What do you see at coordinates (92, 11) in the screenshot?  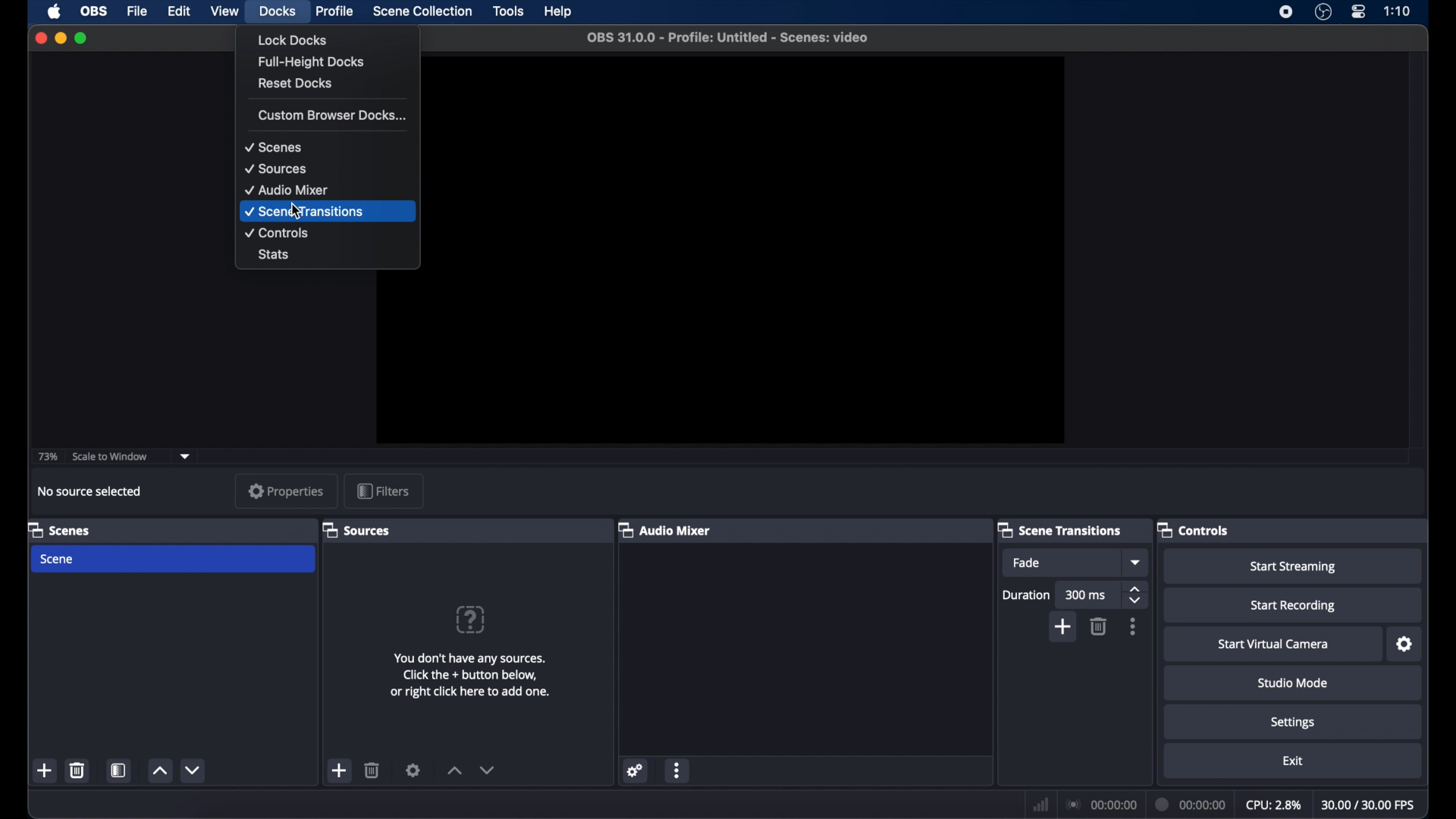 I see `obs` at bounding box center [92, 11].